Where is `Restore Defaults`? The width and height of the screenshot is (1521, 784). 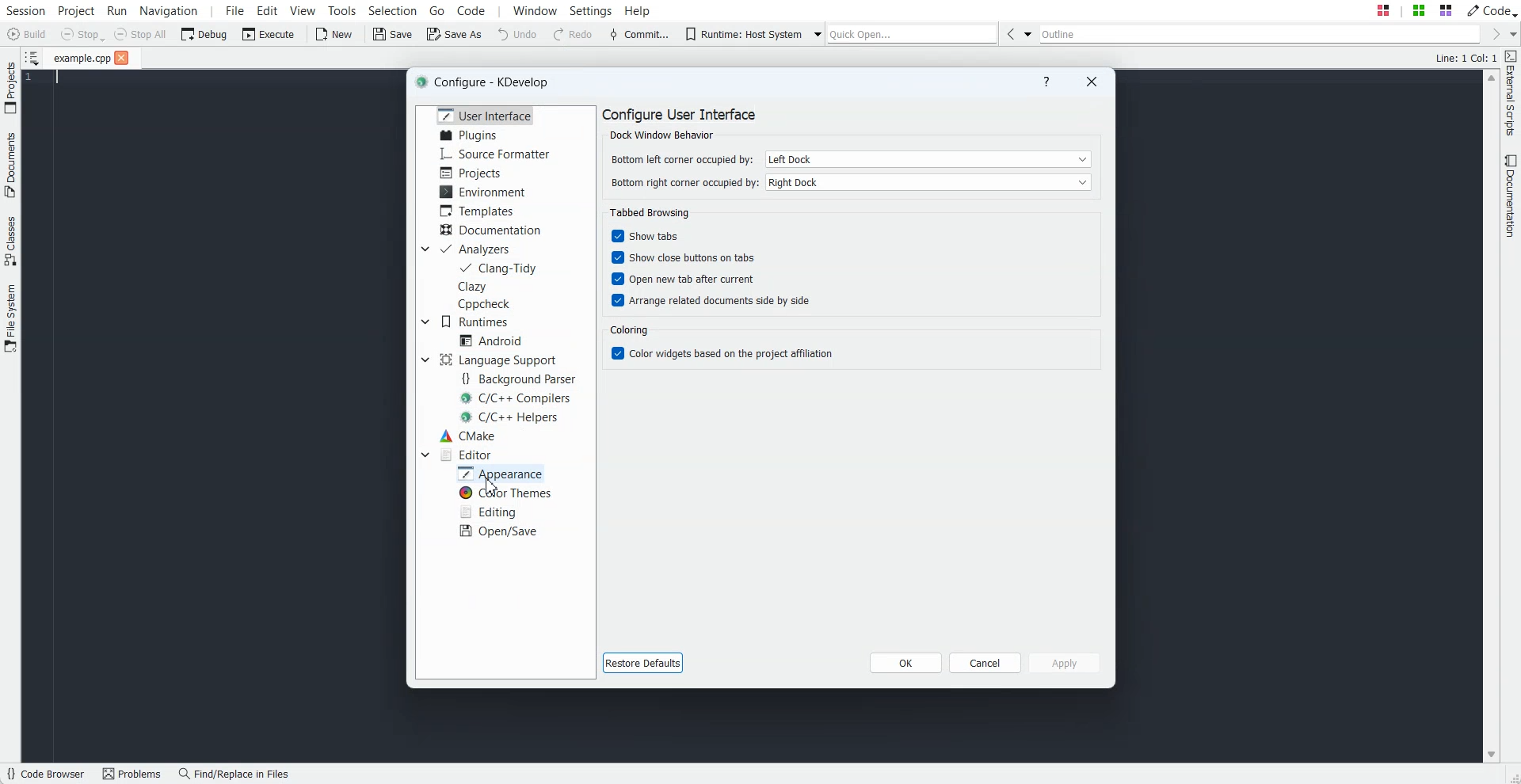 Restore Defaults is located at coordinates (644, 663).